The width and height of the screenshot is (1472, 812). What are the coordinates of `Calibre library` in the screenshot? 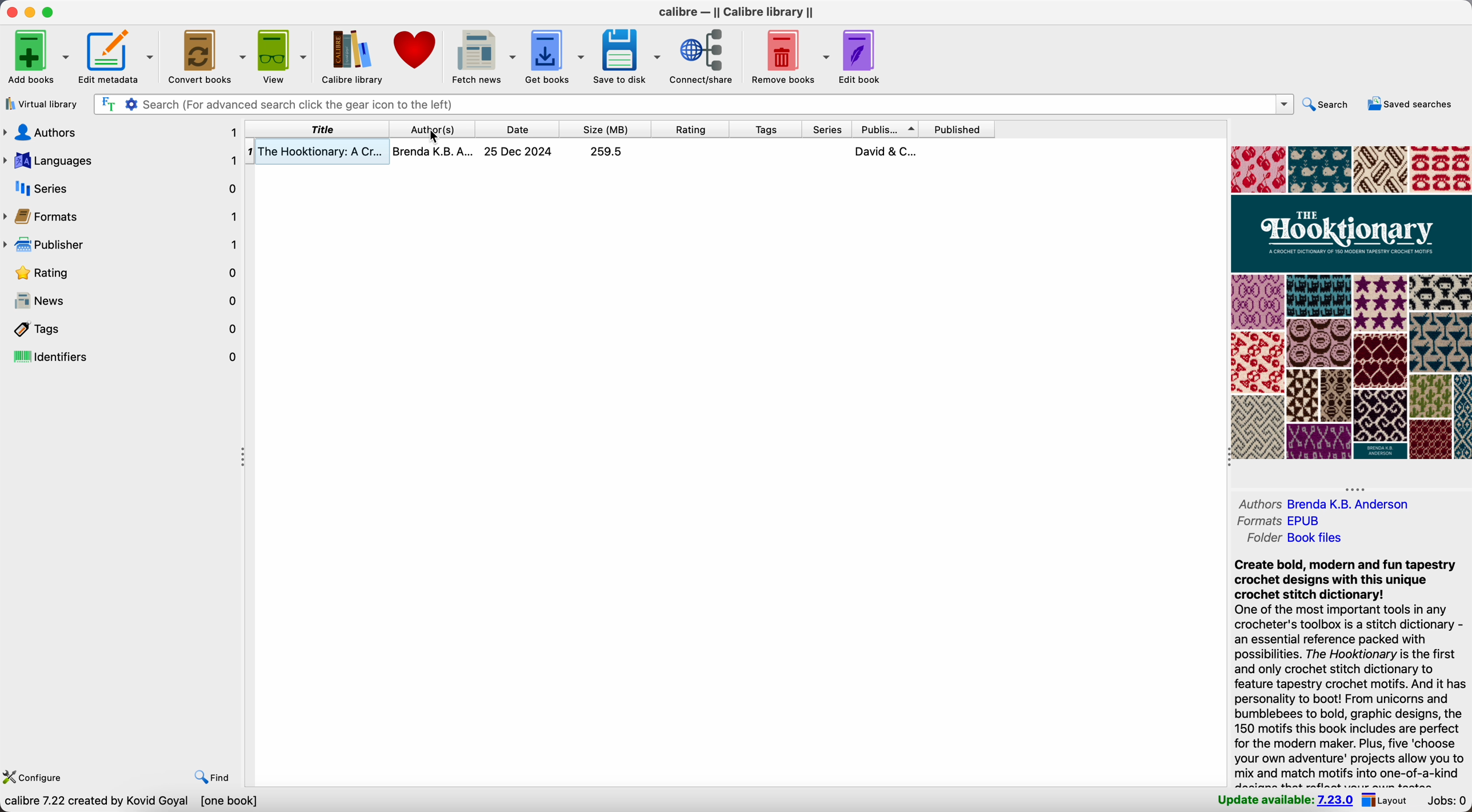 It's located at (350, 55).